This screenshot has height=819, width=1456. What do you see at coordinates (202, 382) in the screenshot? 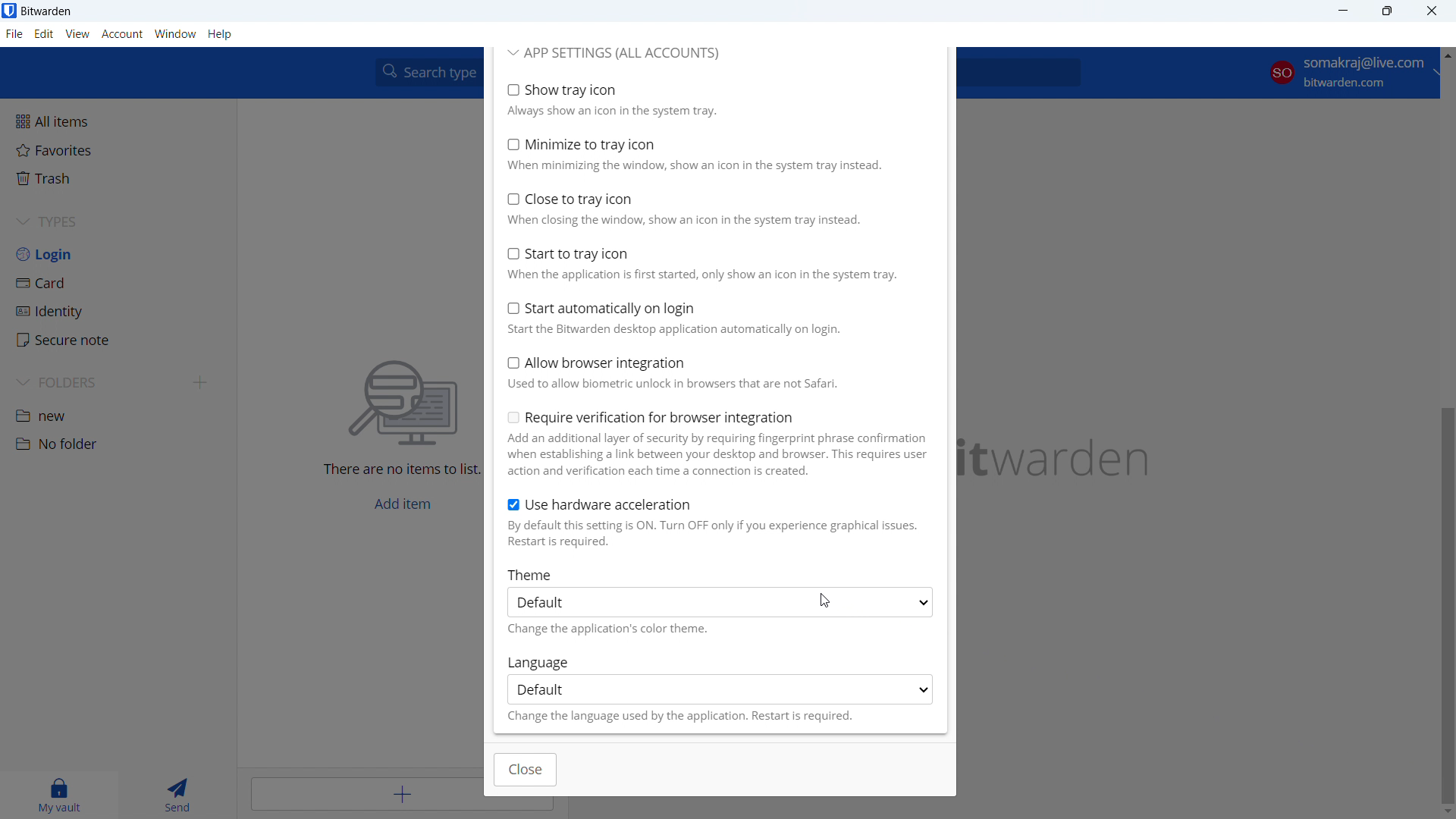
I see `add folder` at bounding box center [202, 382].